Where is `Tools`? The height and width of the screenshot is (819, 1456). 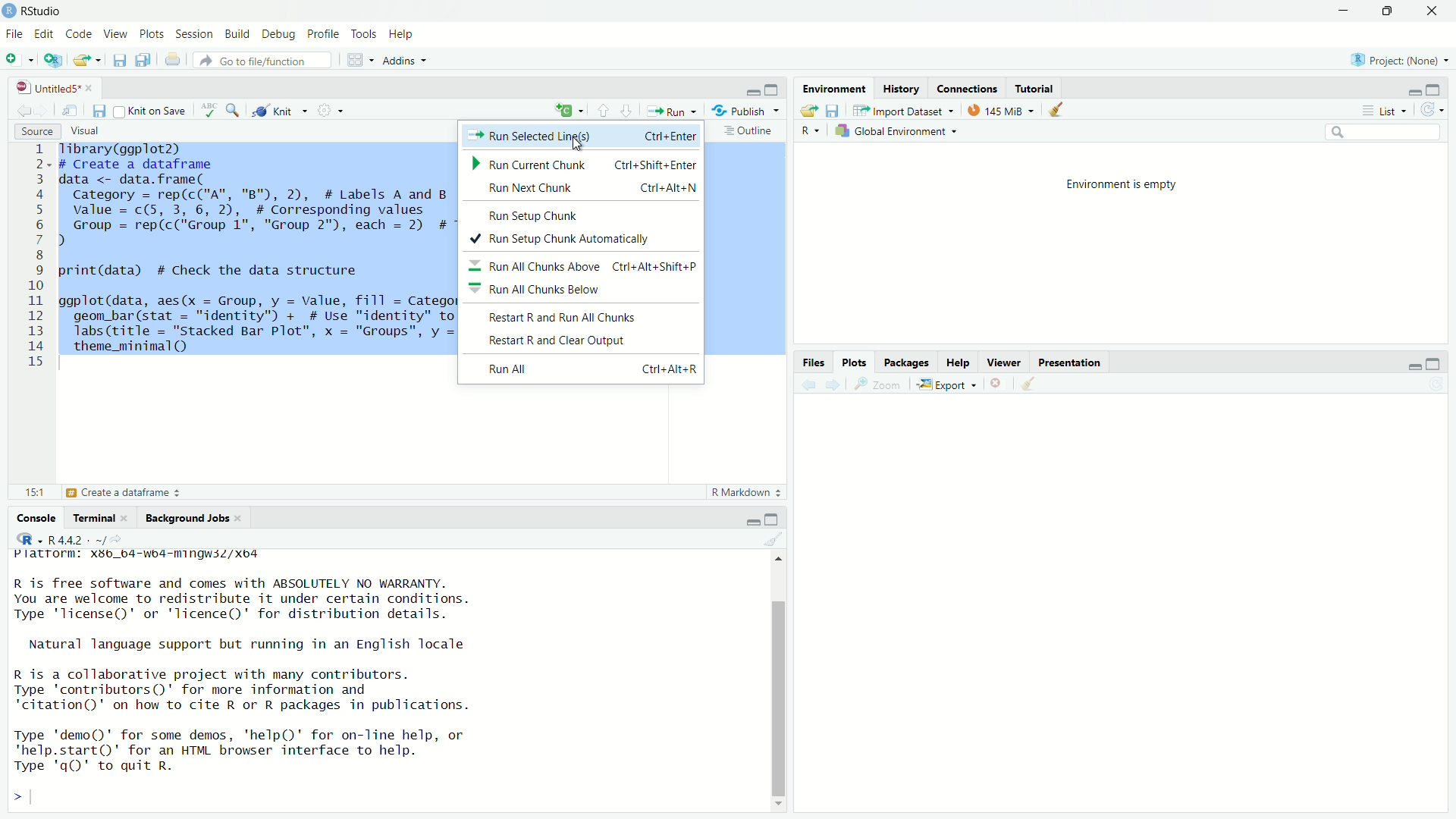
Tools is located at coordinates (365, 33).